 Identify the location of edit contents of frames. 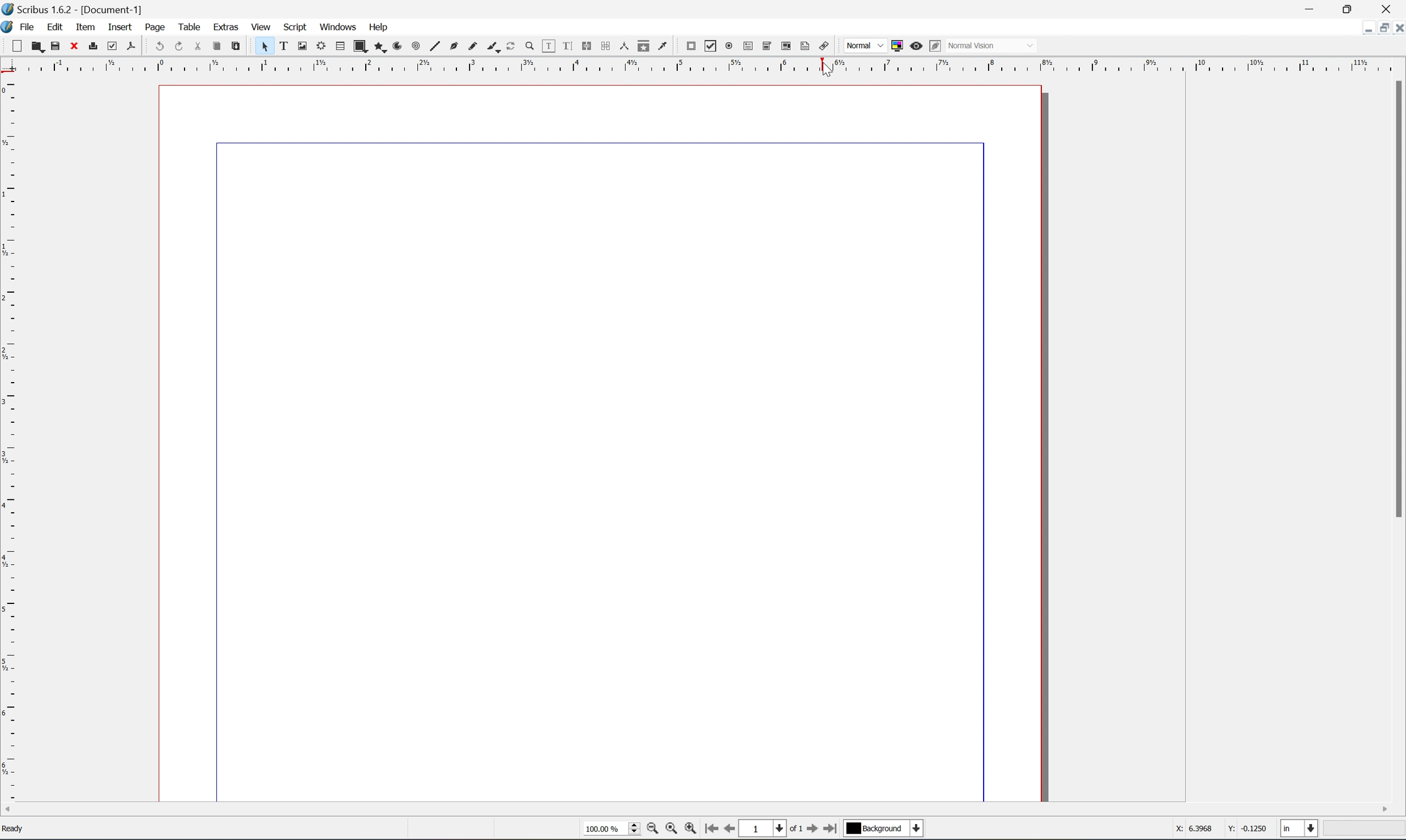
(550, 48).